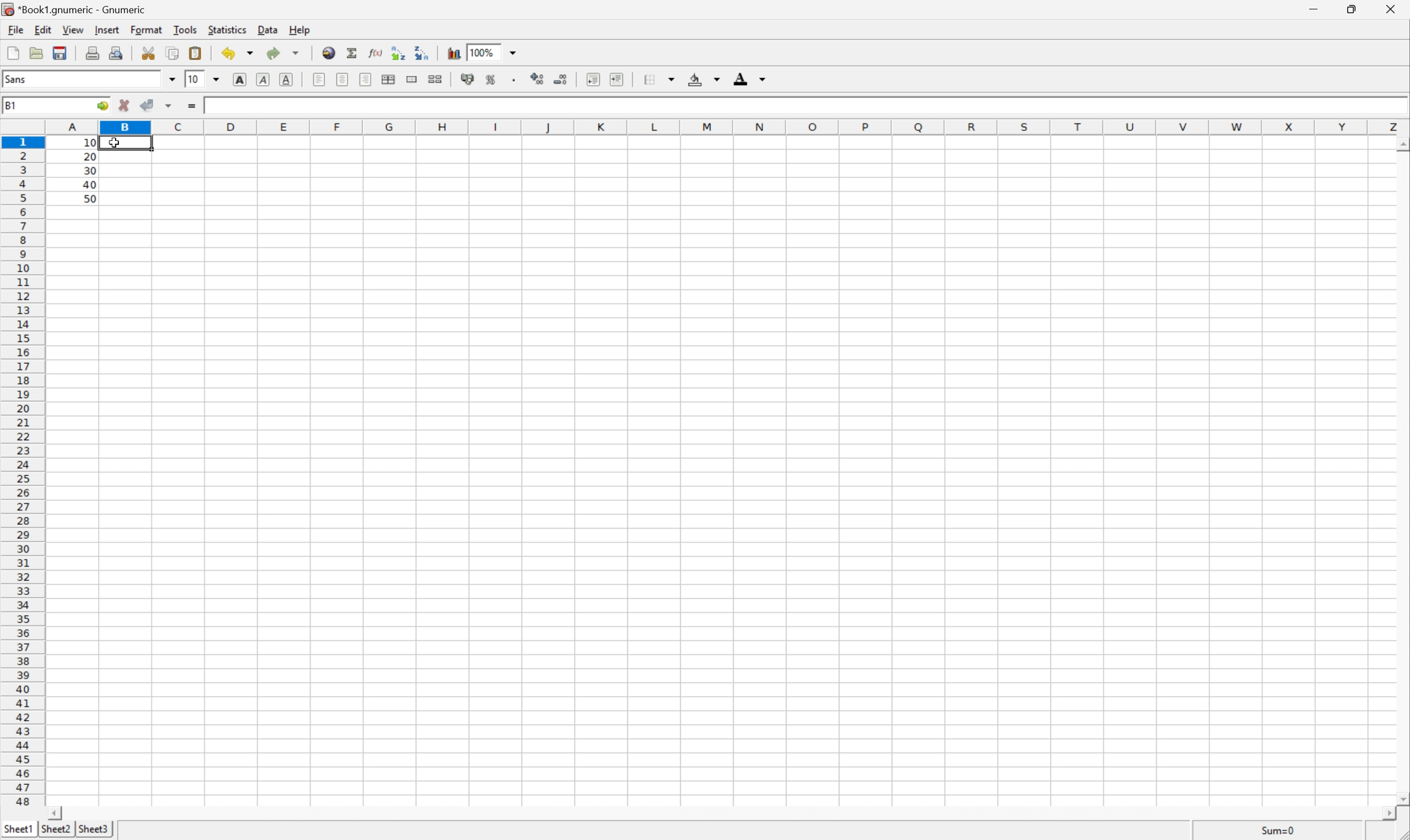 The width and height of the screenshot is (1410, 840). I want to click on Insert chart, so click(456, 53).